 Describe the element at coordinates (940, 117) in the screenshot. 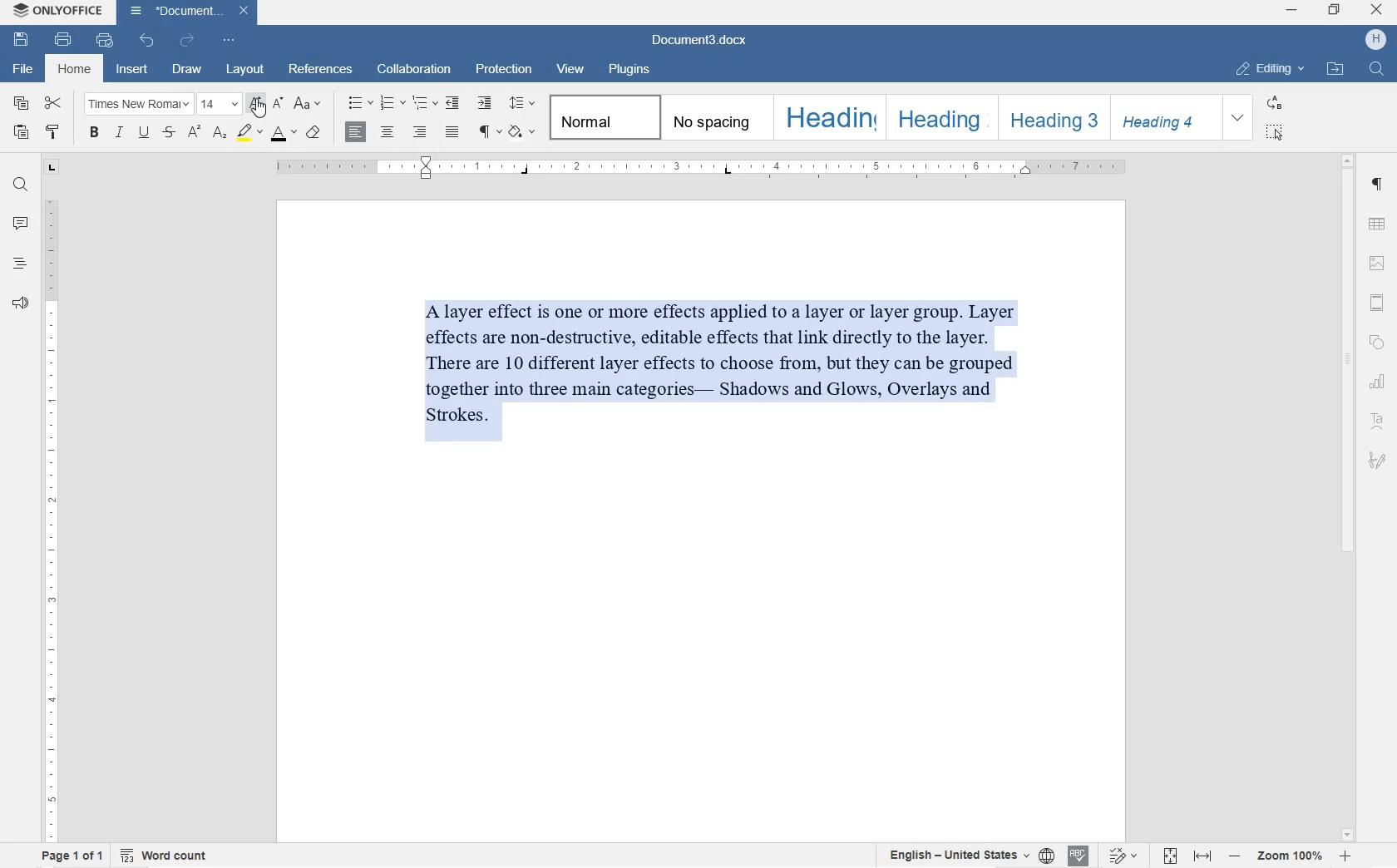

I see `HEADING 2` at that location.